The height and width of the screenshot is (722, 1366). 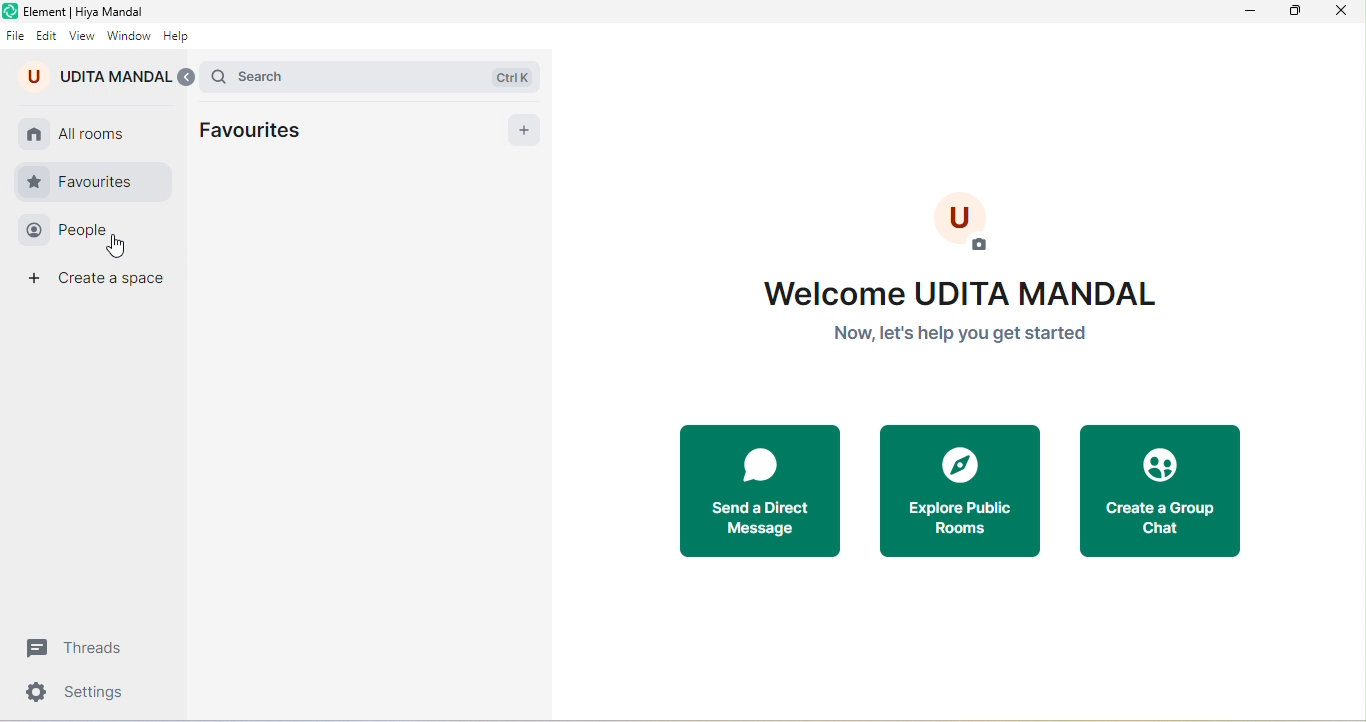 I want to click on udita mandal, so click(x=96, y=75).